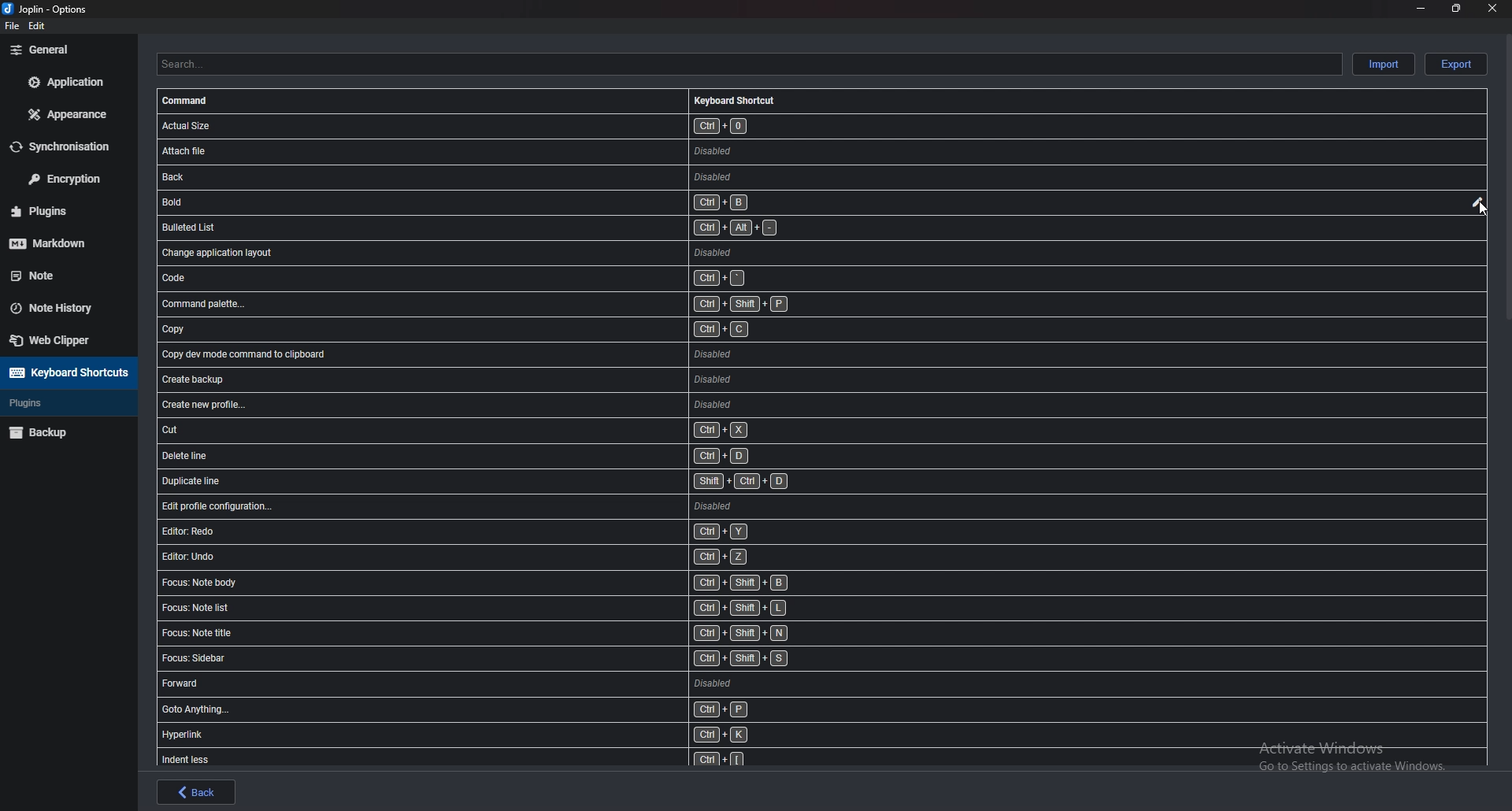 The height and width of the screenshot is (811, 1512). I want to click on shortcut, so click(472, 178).